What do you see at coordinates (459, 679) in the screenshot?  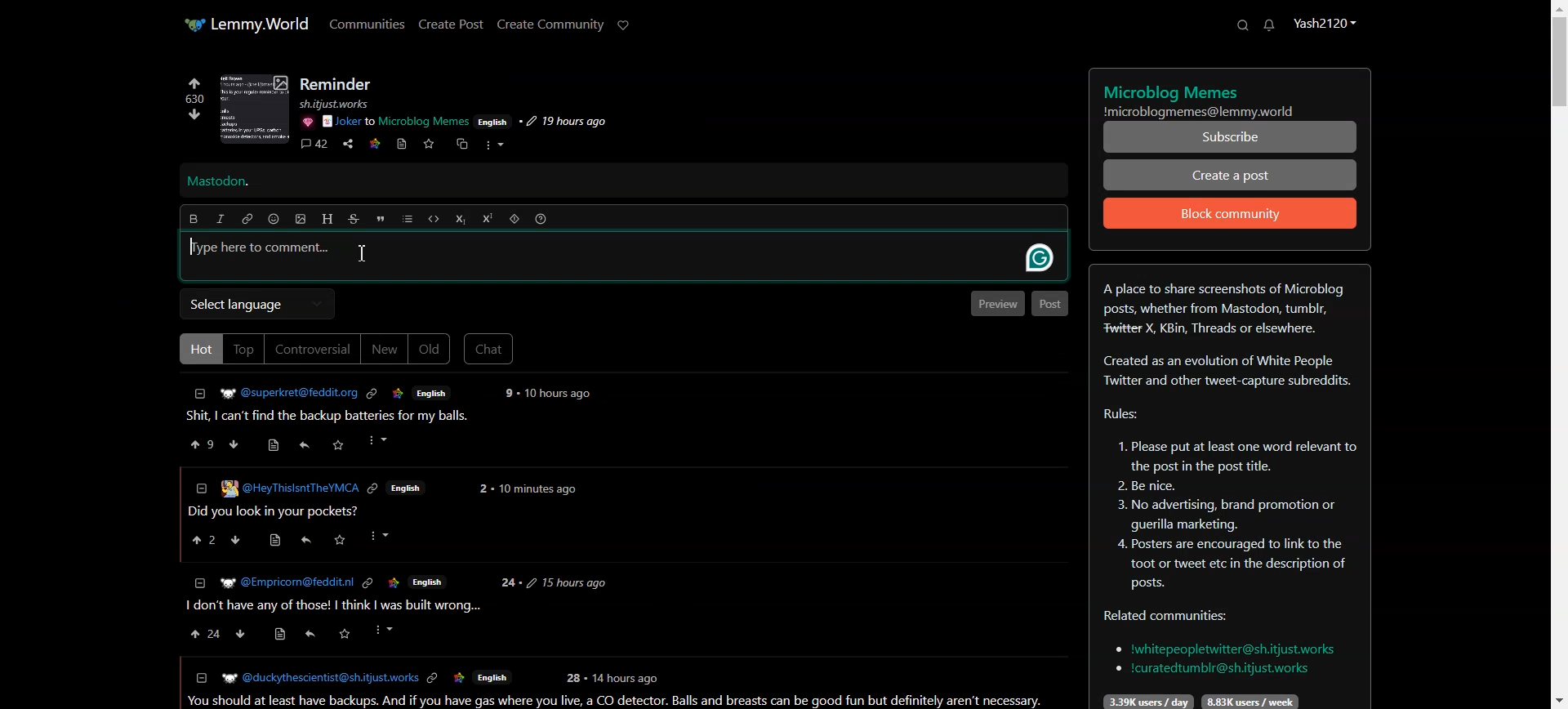 I see `` at bounding box center [459, 679].